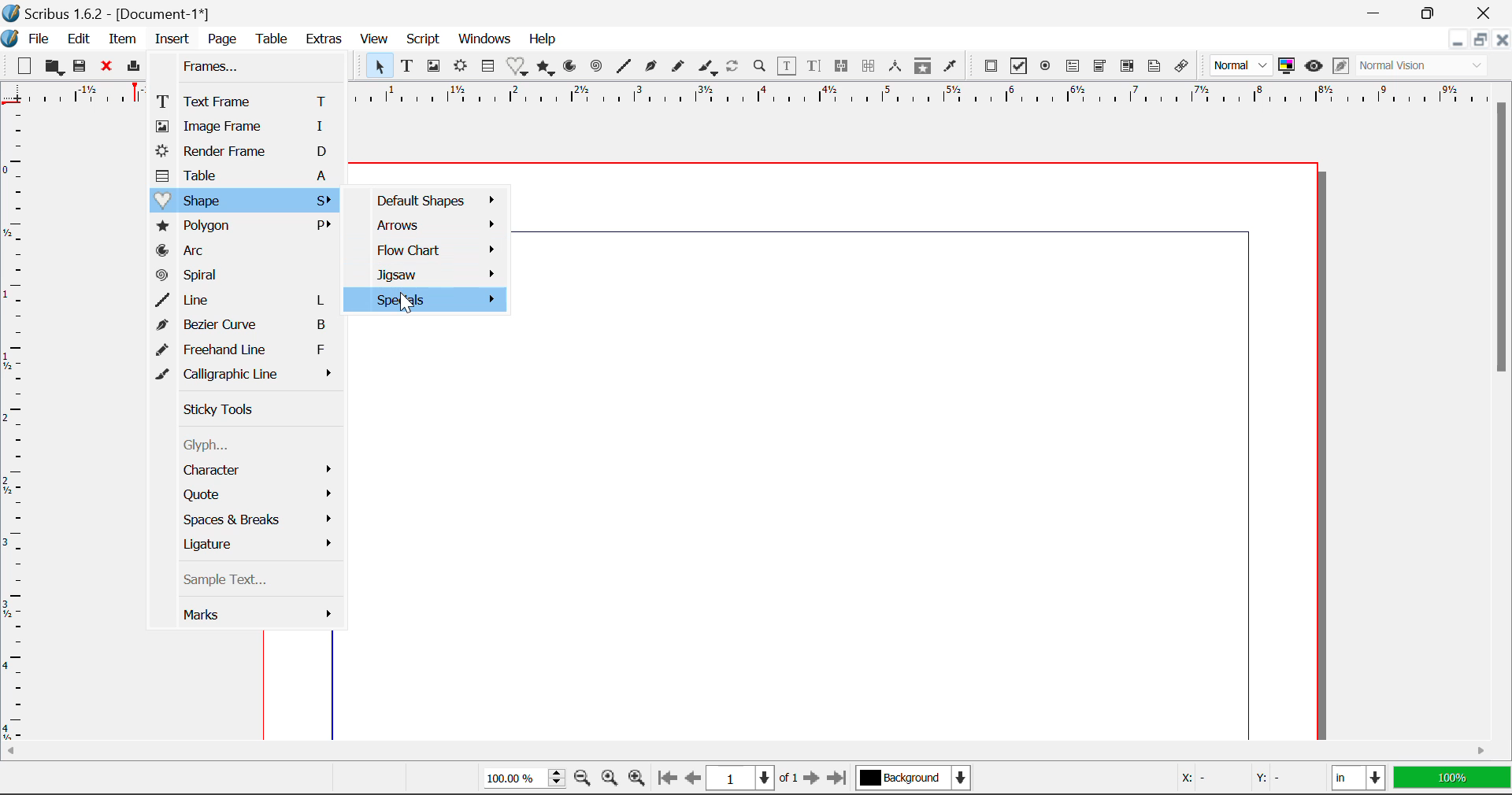 The width and height of the screenshot is (1512, 795). I want to click on File, so click(39, 39).